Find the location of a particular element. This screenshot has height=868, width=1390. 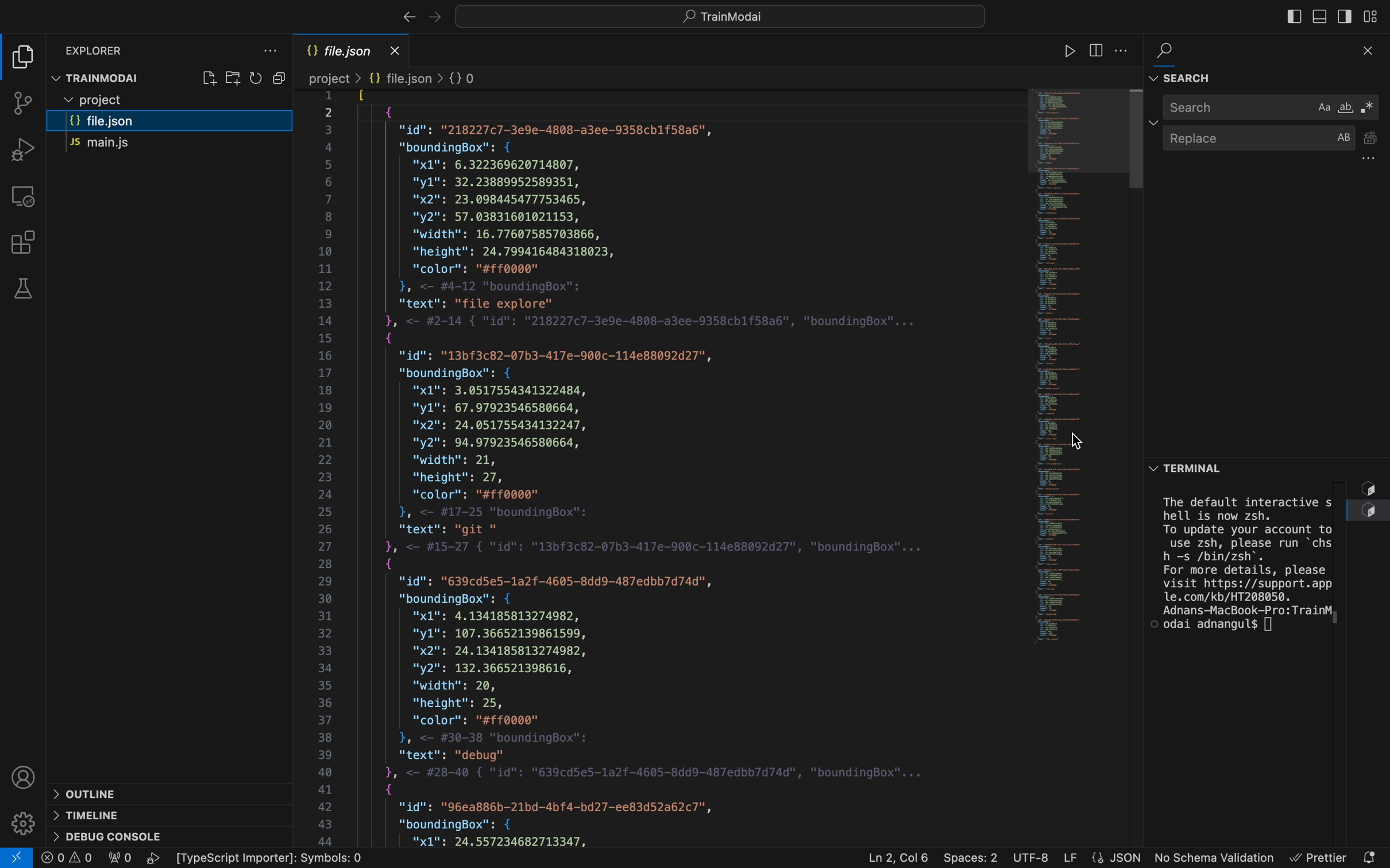

outline is located at coordinates (142, 792).